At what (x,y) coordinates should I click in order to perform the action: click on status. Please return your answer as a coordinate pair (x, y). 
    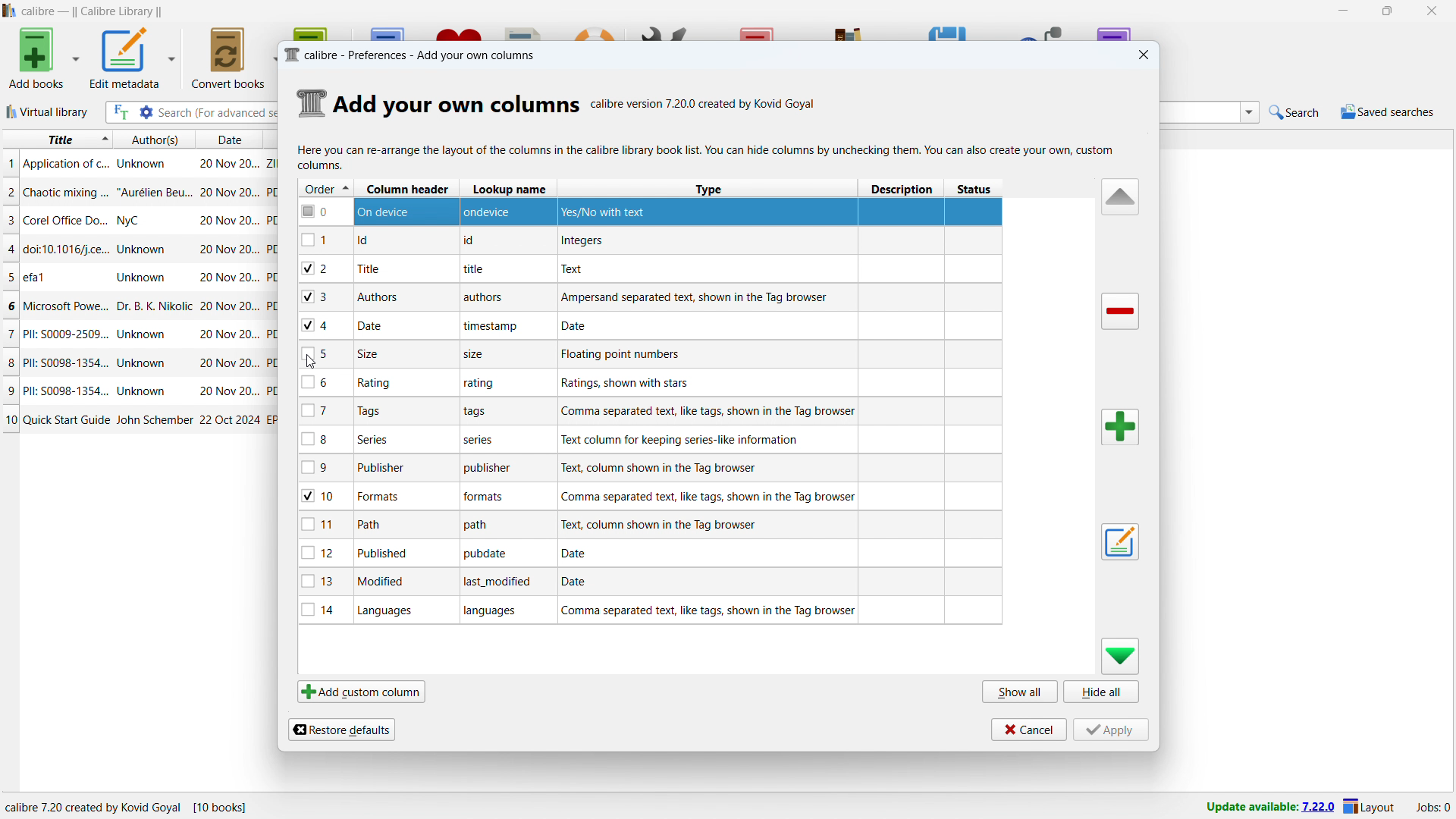
    Looking at the image, I should click on (976, 190).